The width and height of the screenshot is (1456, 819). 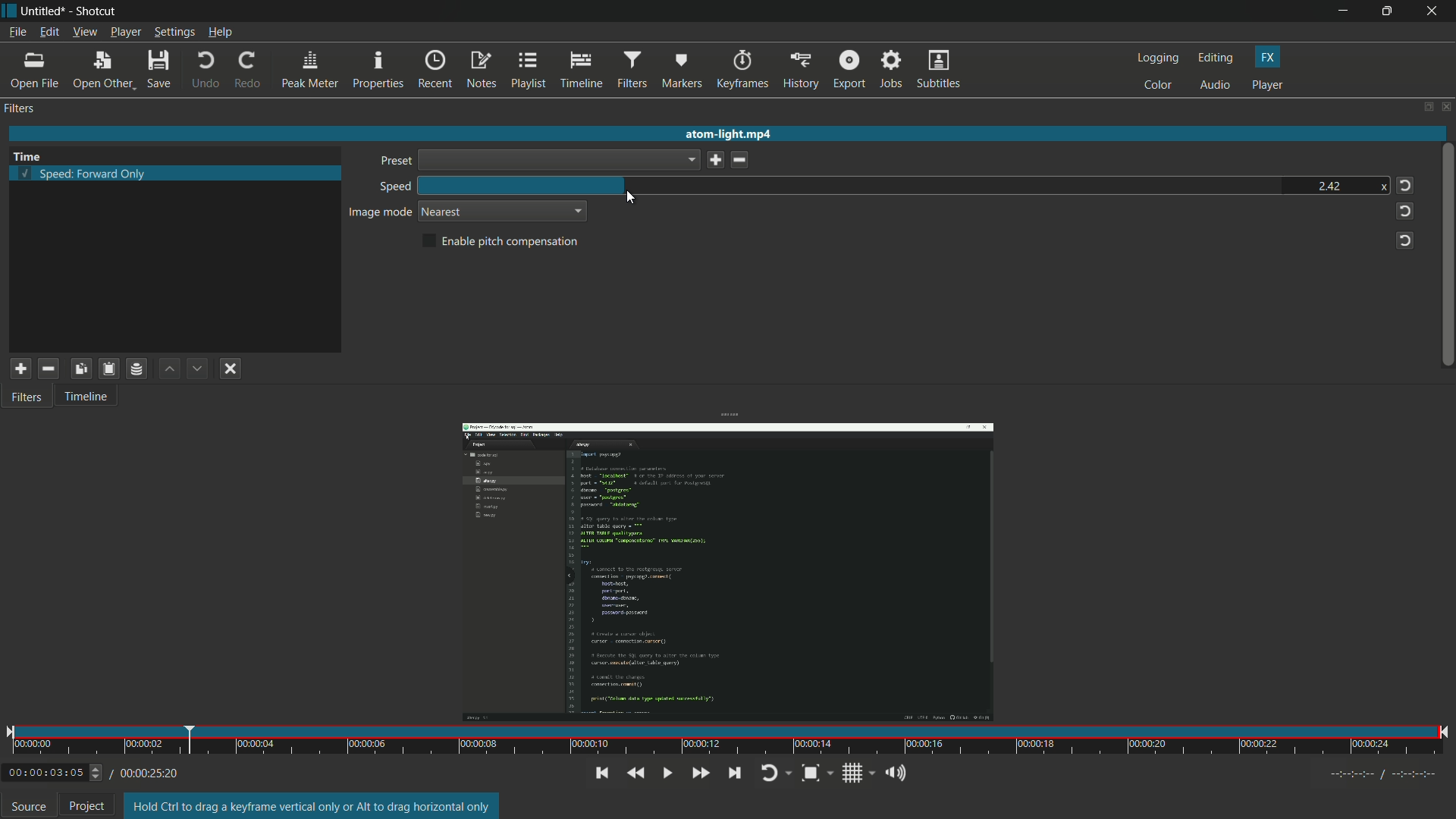 What do you see at coordinates (379, 70) in the screenshot?
I see `properties` at bounding box center [379, 70].